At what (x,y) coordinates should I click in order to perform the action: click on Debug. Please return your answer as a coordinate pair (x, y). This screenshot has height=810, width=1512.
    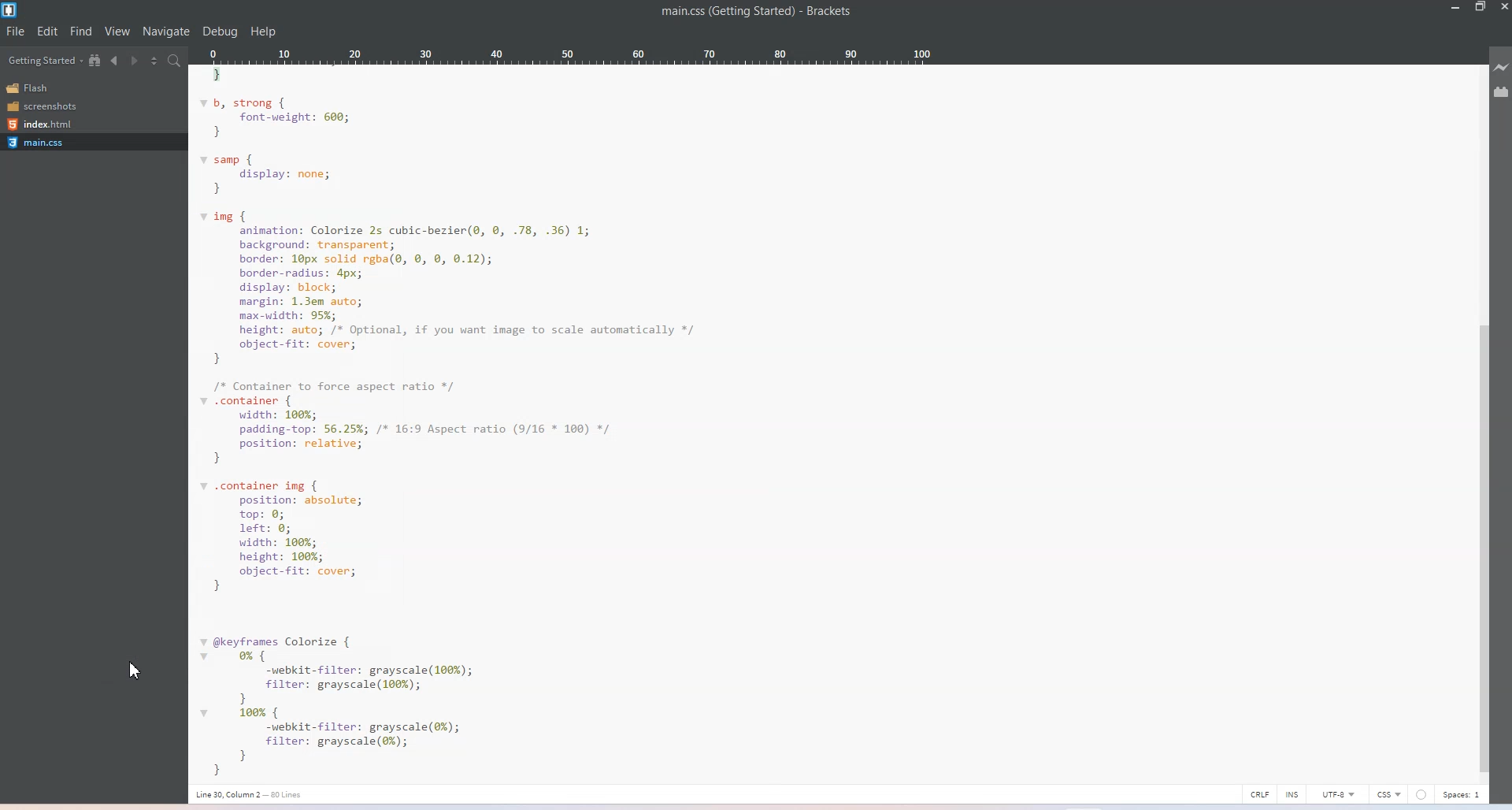
    Looking at the image, I should click on (220, 32).